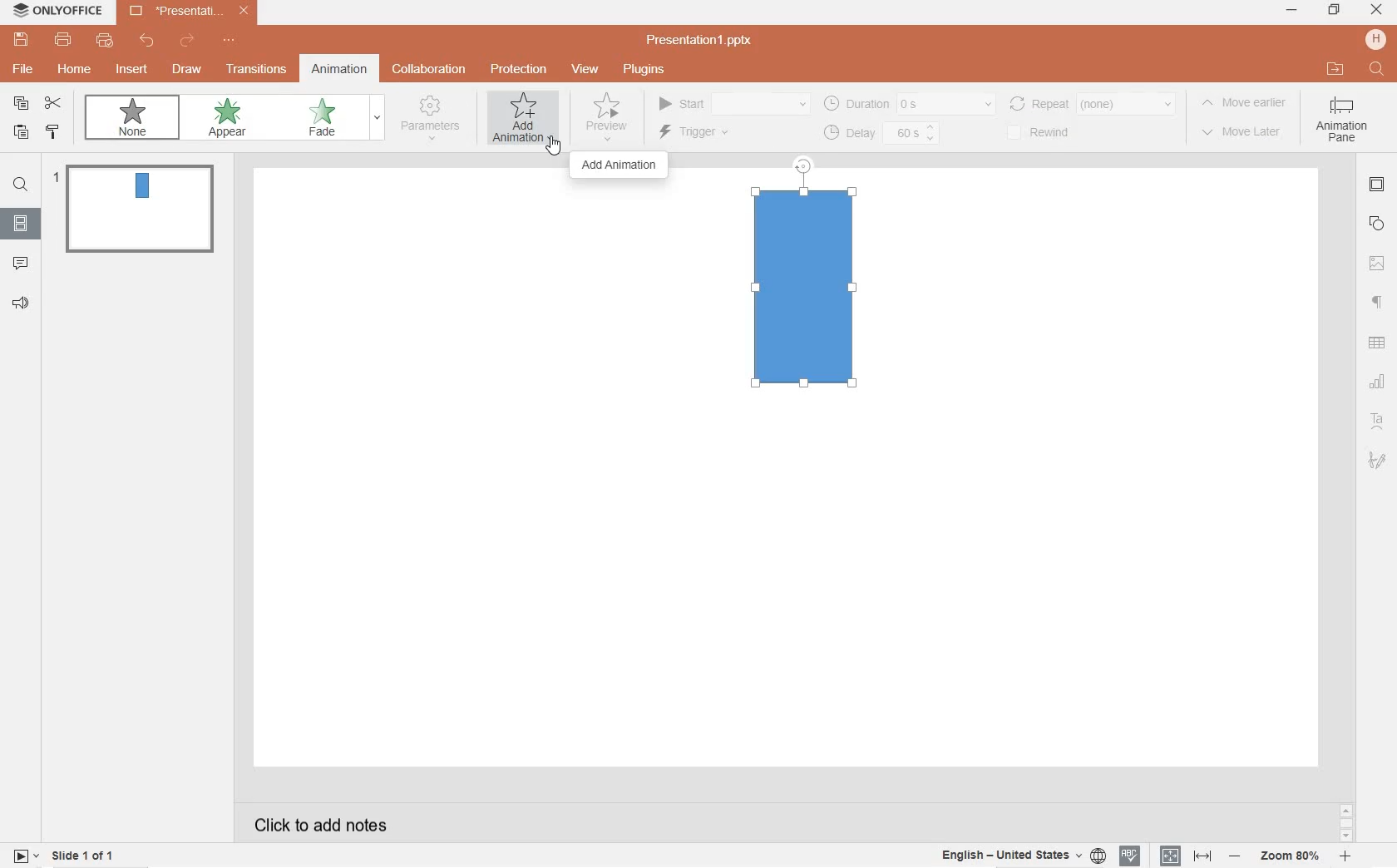 Image resolution: width=1397 pixels, height=868 pixels. I want to click on draw, so click(186, 67).